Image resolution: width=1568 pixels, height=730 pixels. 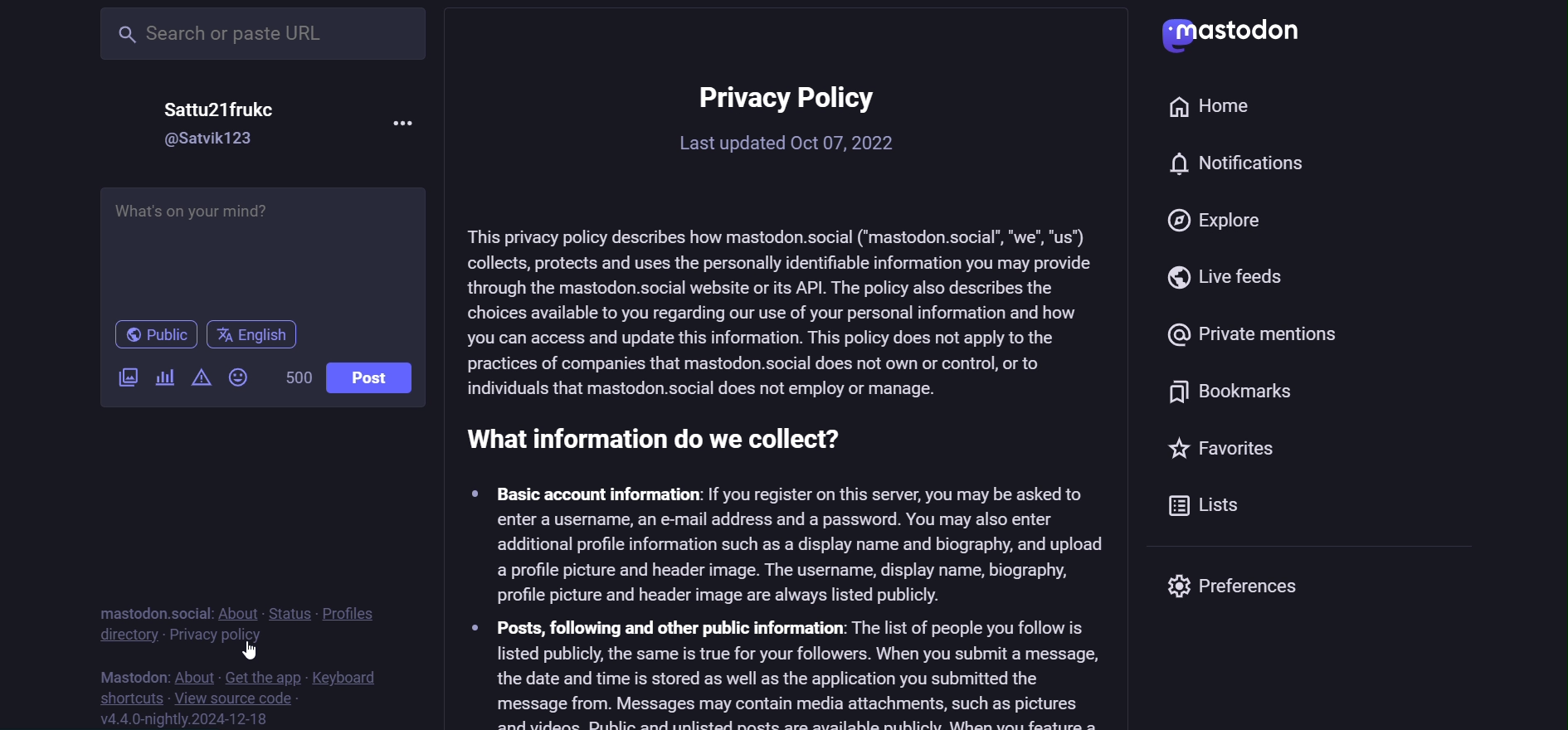 What do you see at coordinates (1206, 508) in the screenshot?
I see `lists` at bounding box center [1206, 508].